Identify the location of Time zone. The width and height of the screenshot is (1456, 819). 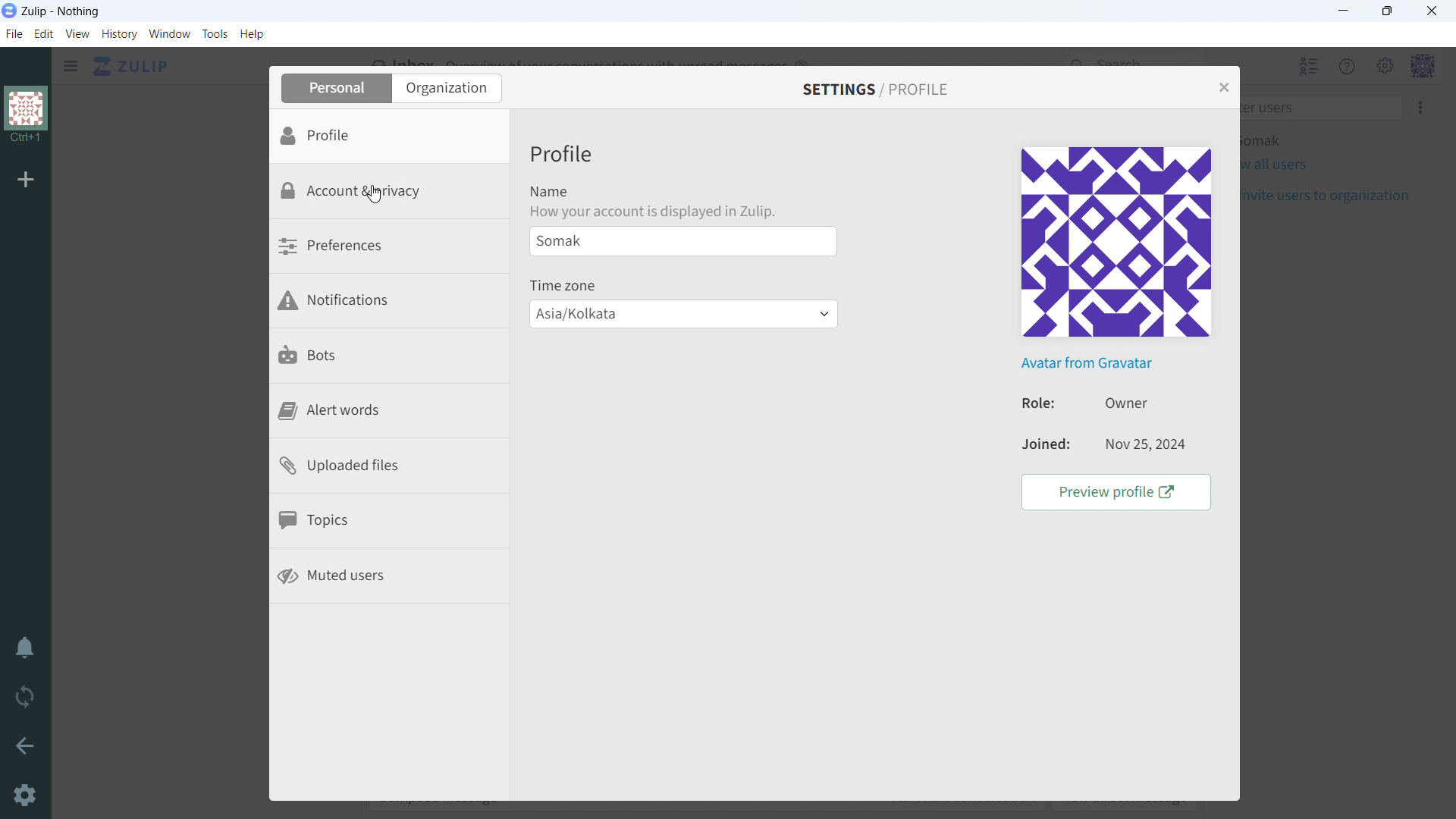
(564, 285).